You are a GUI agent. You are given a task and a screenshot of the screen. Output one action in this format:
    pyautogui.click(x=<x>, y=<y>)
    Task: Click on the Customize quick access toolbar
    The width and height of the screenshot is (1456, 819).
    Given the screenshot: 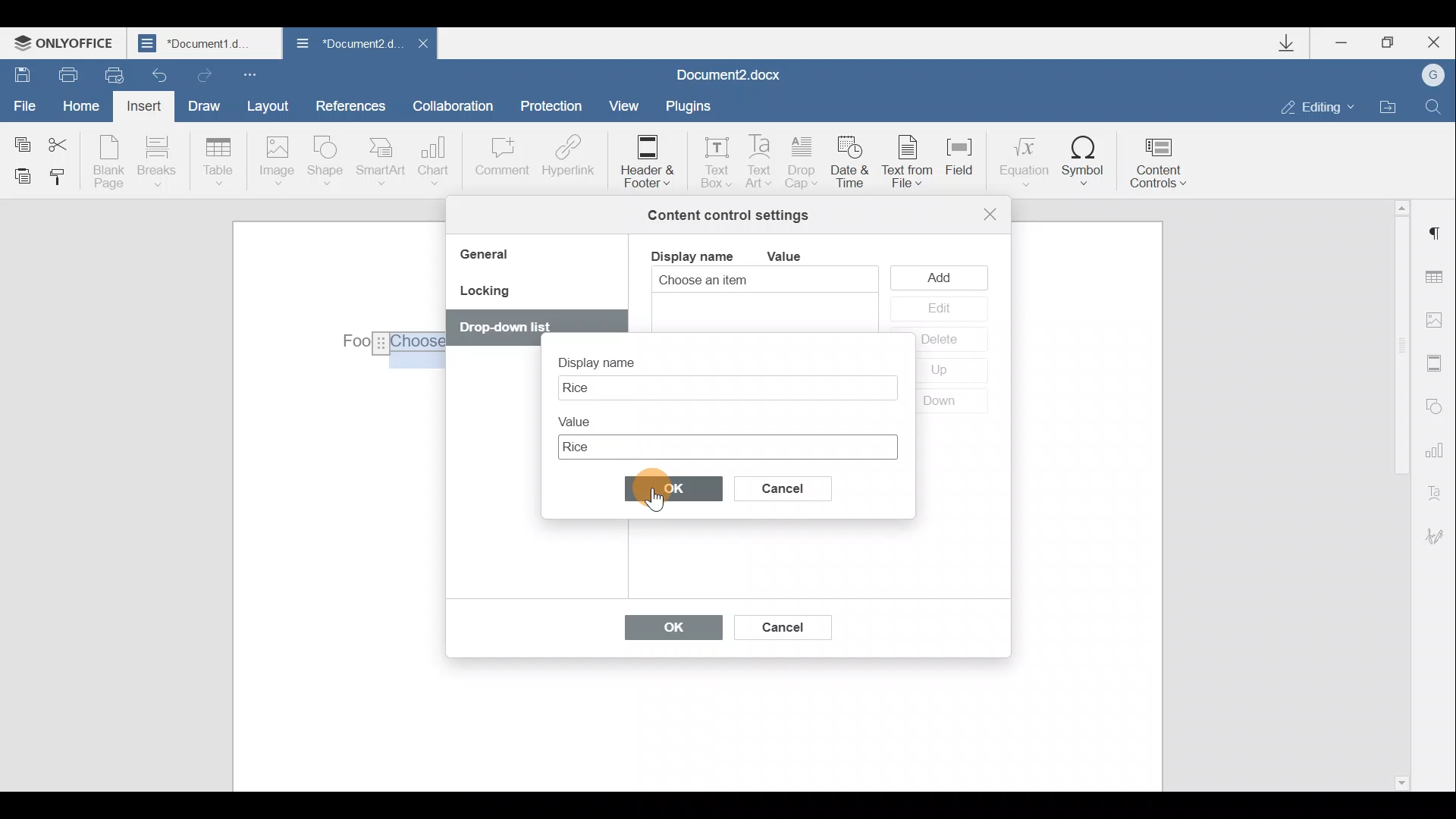 What is the action you would take?
    pyautogui.click(x=253, y=74)
    